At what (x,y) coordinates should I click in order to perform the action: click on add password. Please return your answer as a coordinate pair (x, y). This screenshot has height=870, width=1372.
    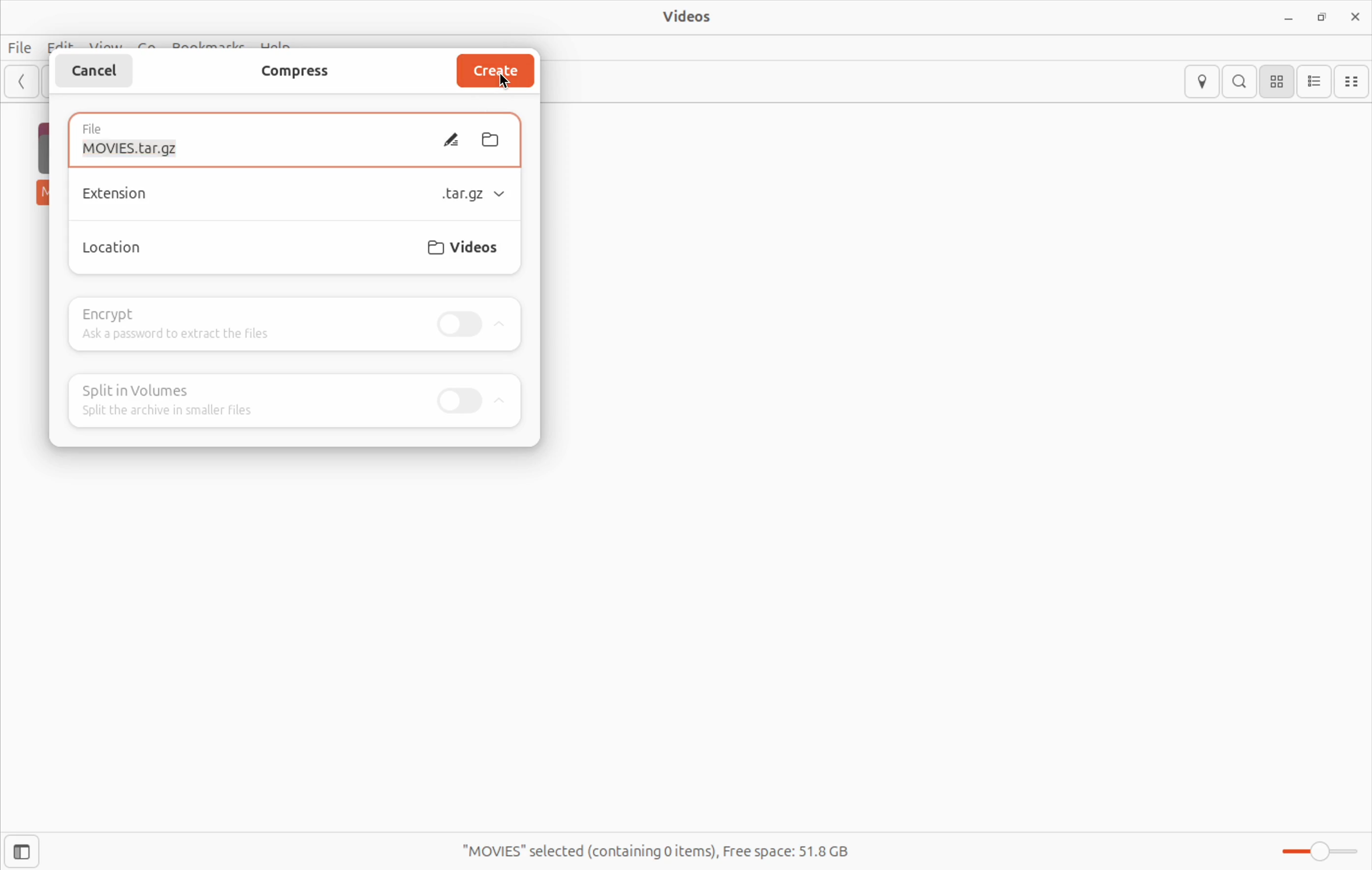
    Looking at the image, I should click on (208, 333).